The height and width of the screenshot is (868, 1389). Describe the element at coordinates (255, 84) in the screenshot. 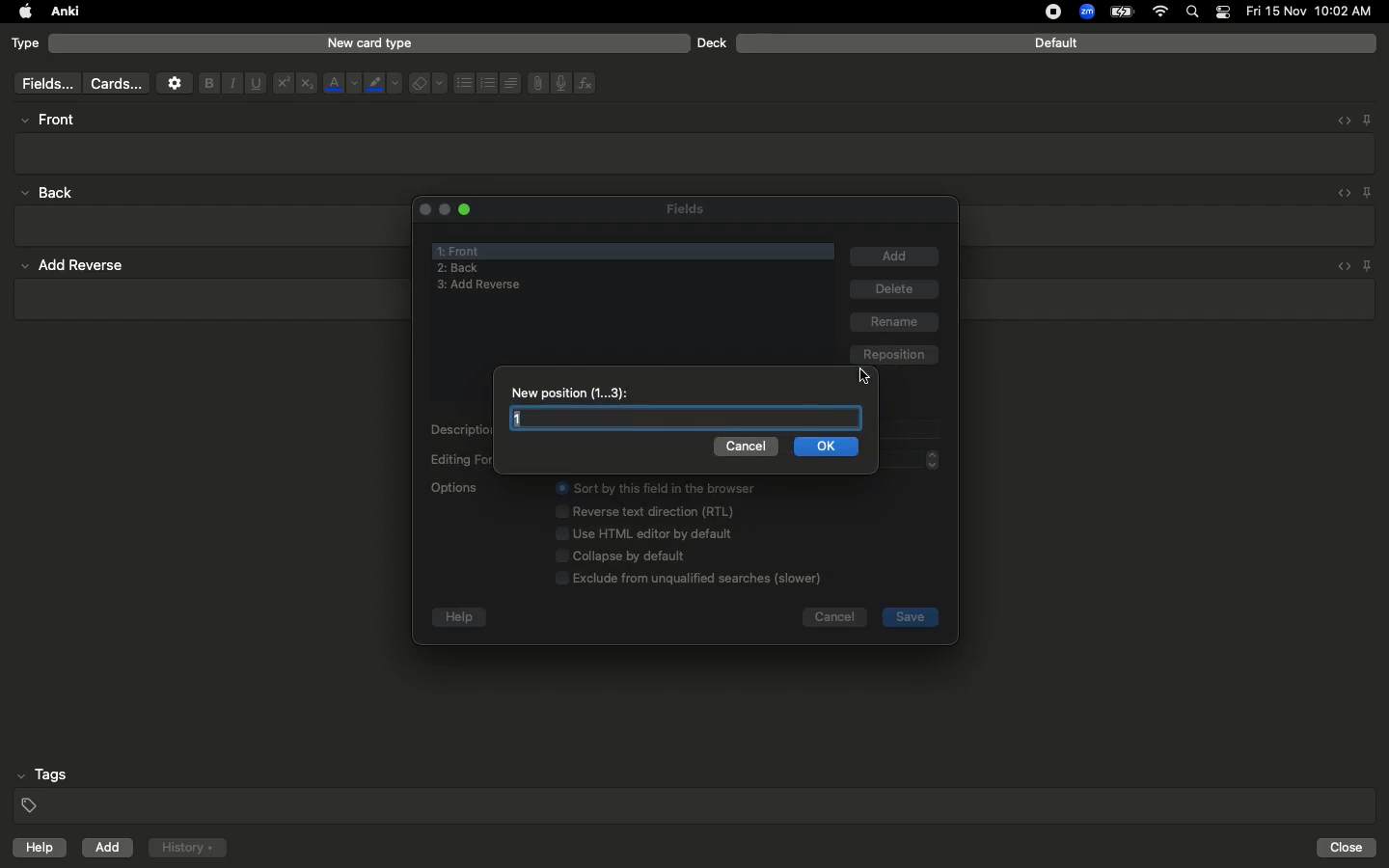

I see `Underline` at that location.